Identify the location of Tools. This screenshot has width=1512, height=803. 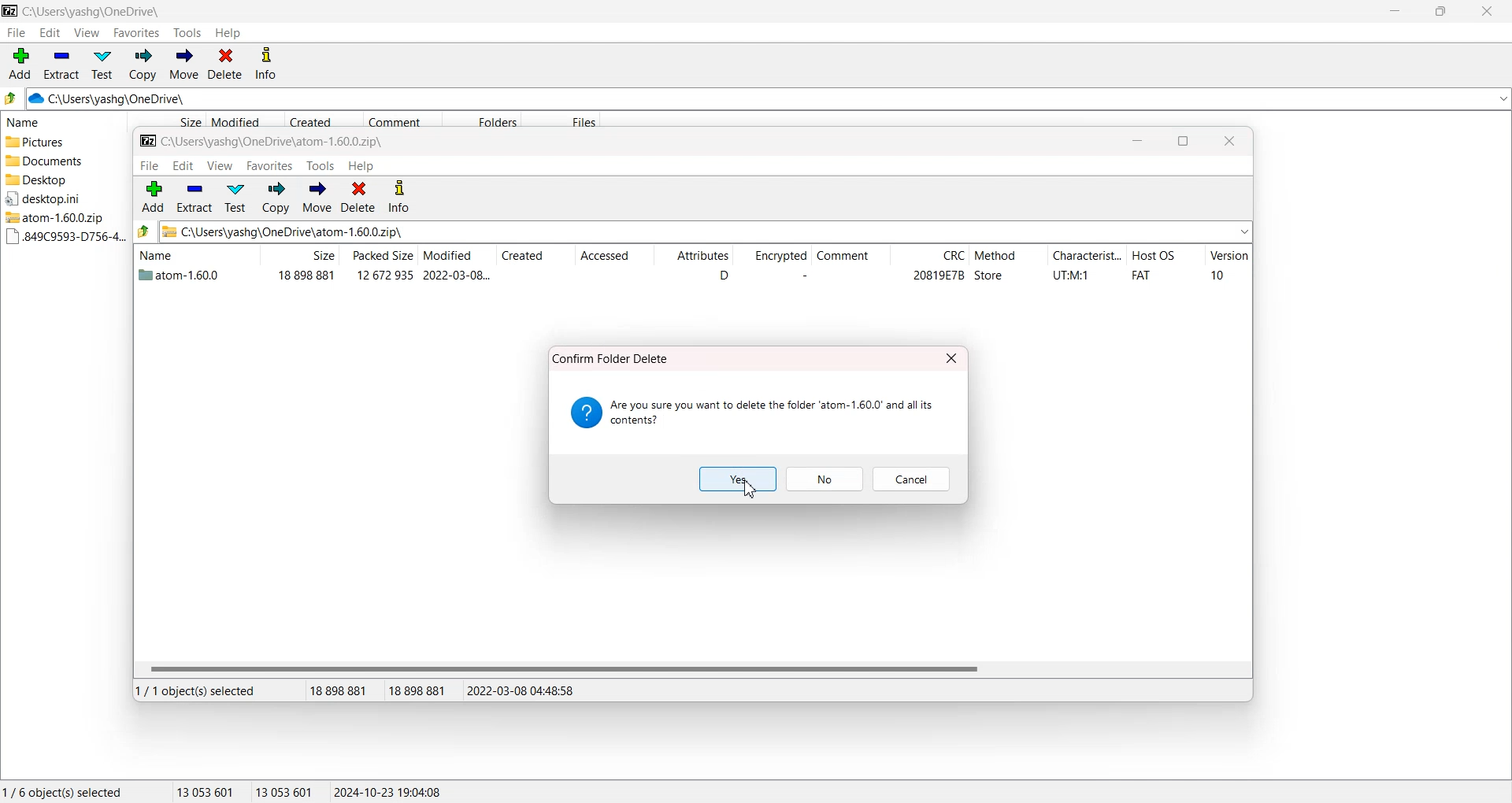
(188, 33).